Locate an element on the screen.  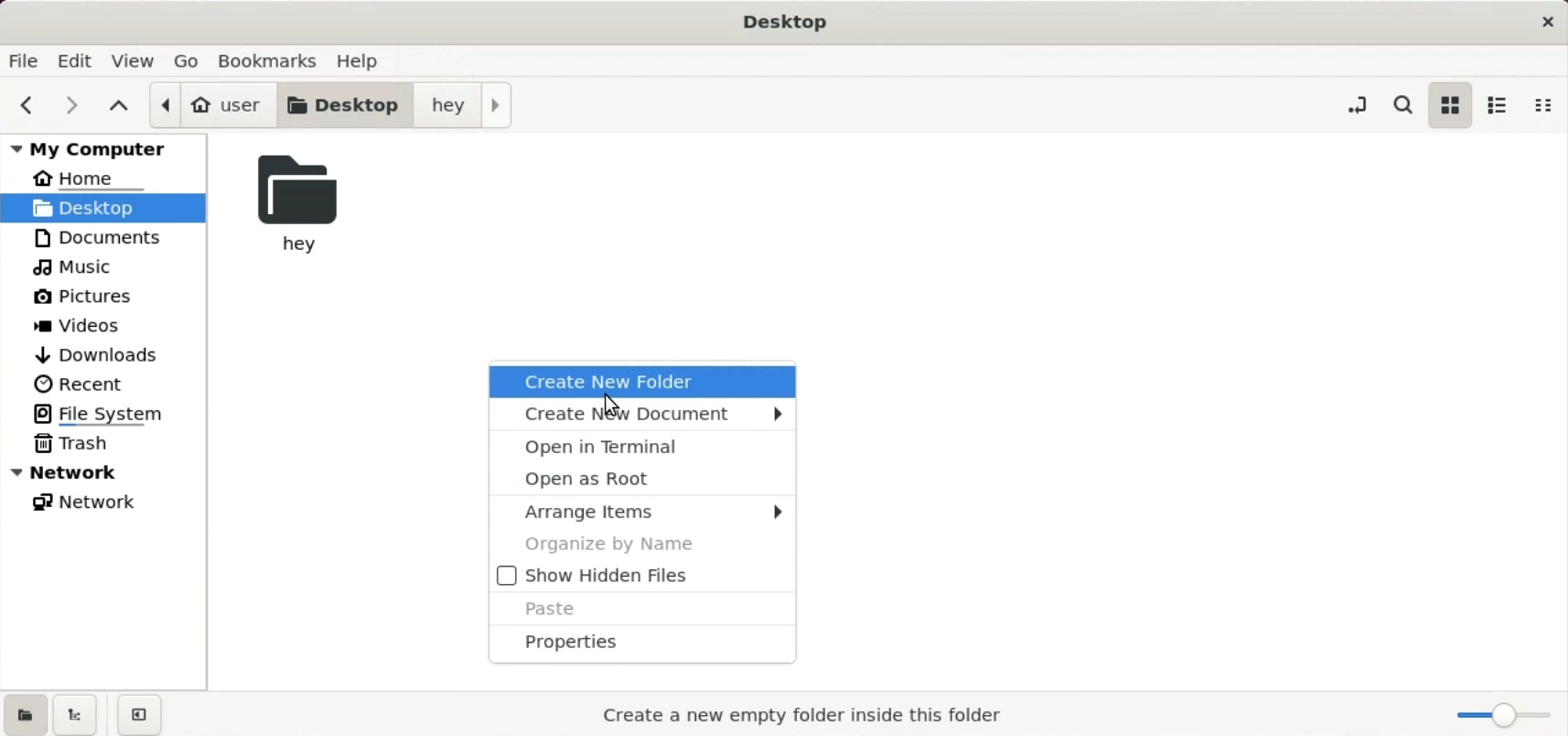
serch is located at coordinates (1405, 104).